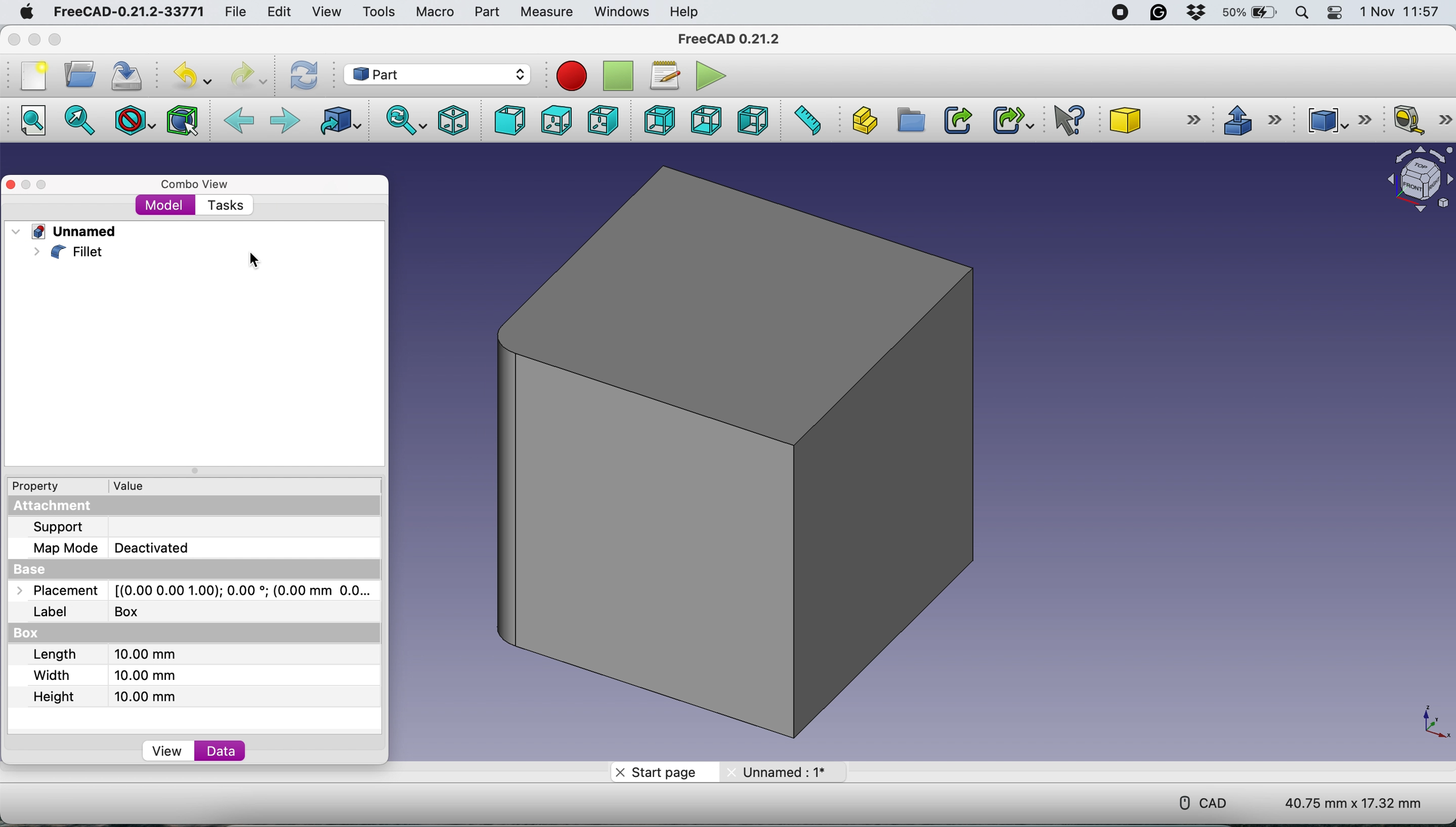  I want to click on view, so click(327, 12).